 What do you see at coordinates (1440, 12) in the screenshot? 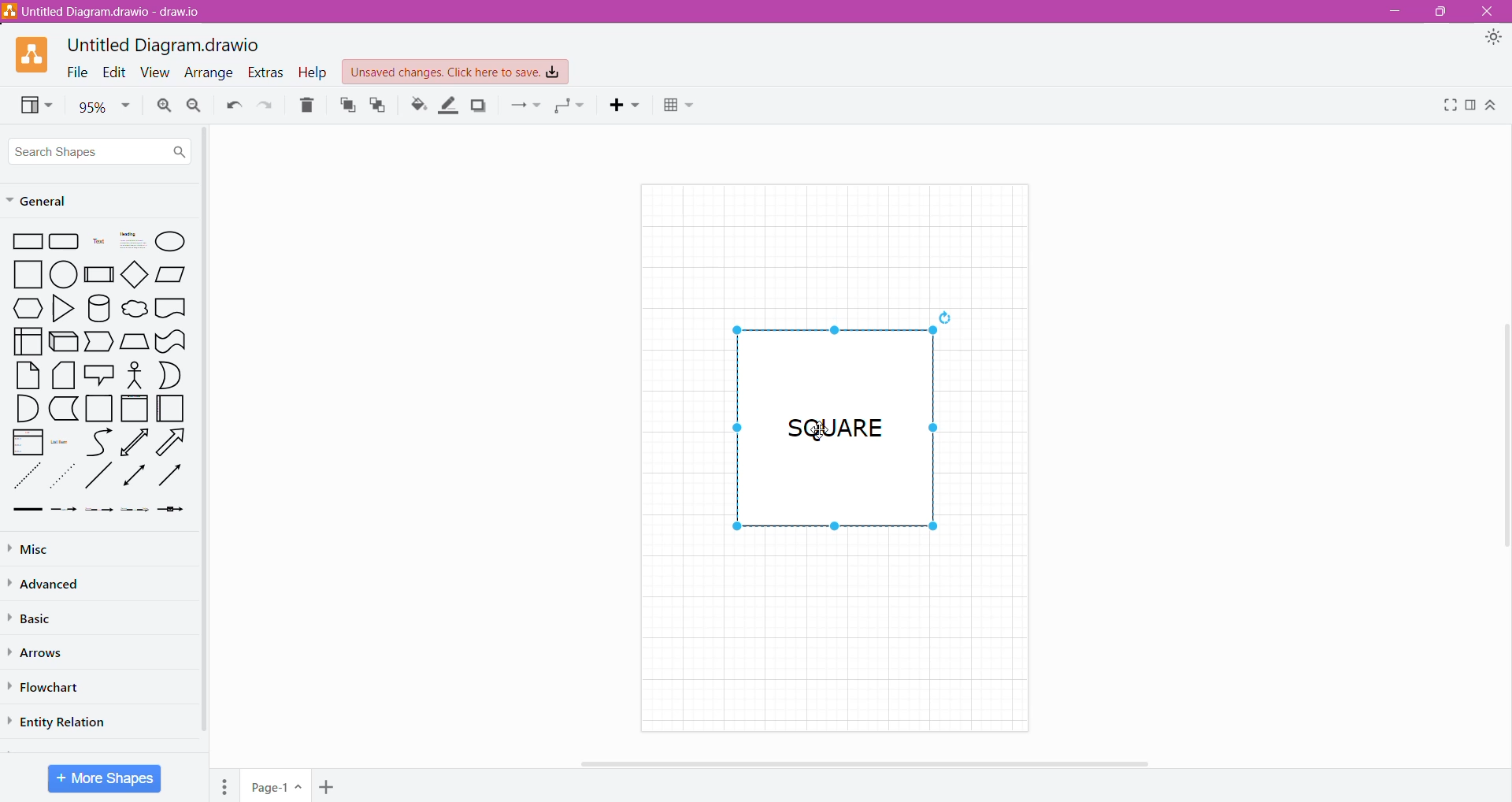
I see `Restore Down` at bounding box center [1440, 12].